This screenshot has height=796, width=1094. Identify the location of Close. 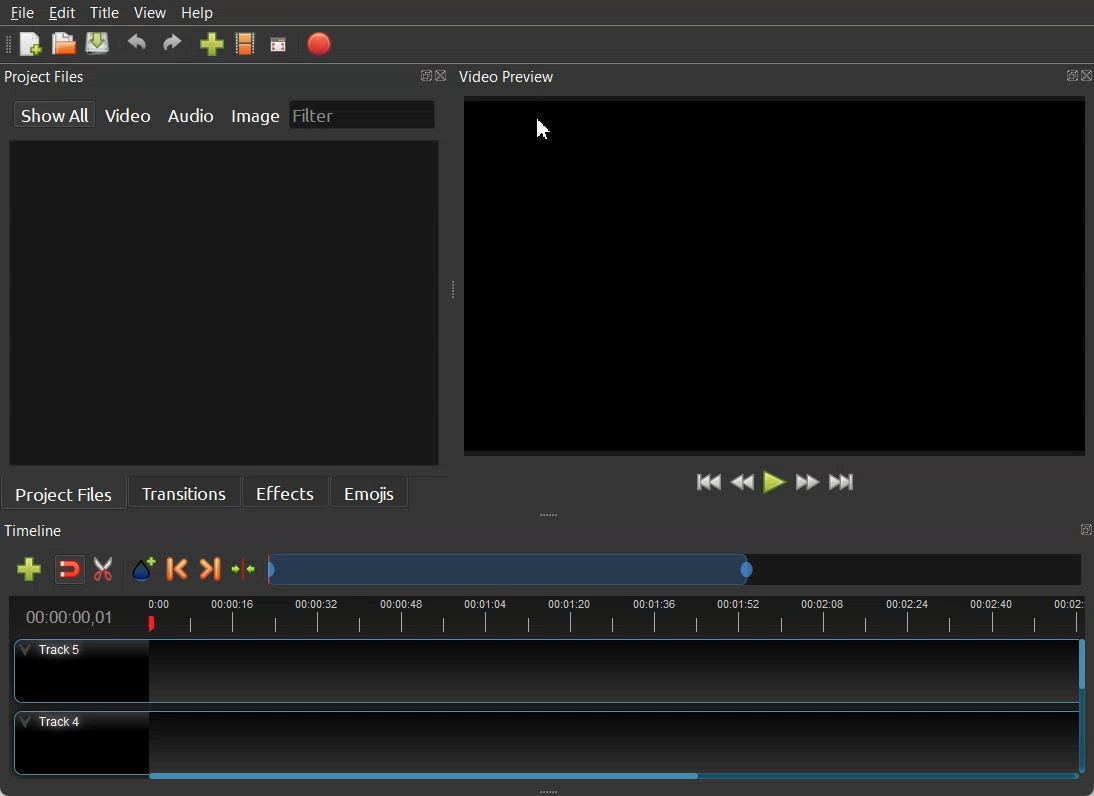
(441, 75).